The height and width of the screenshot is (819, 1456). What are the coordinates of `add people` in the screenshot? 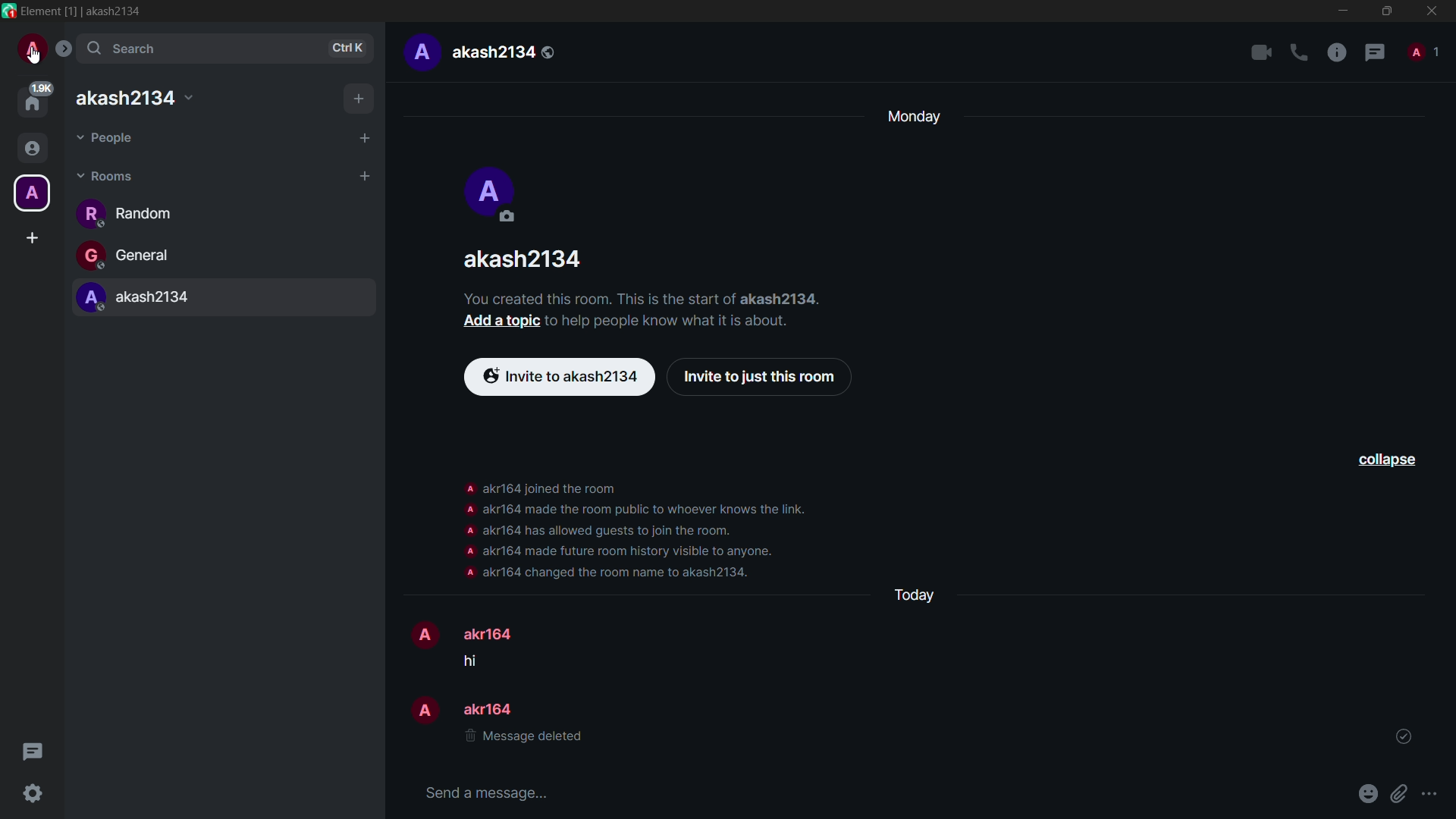 It's located at (365, 138).